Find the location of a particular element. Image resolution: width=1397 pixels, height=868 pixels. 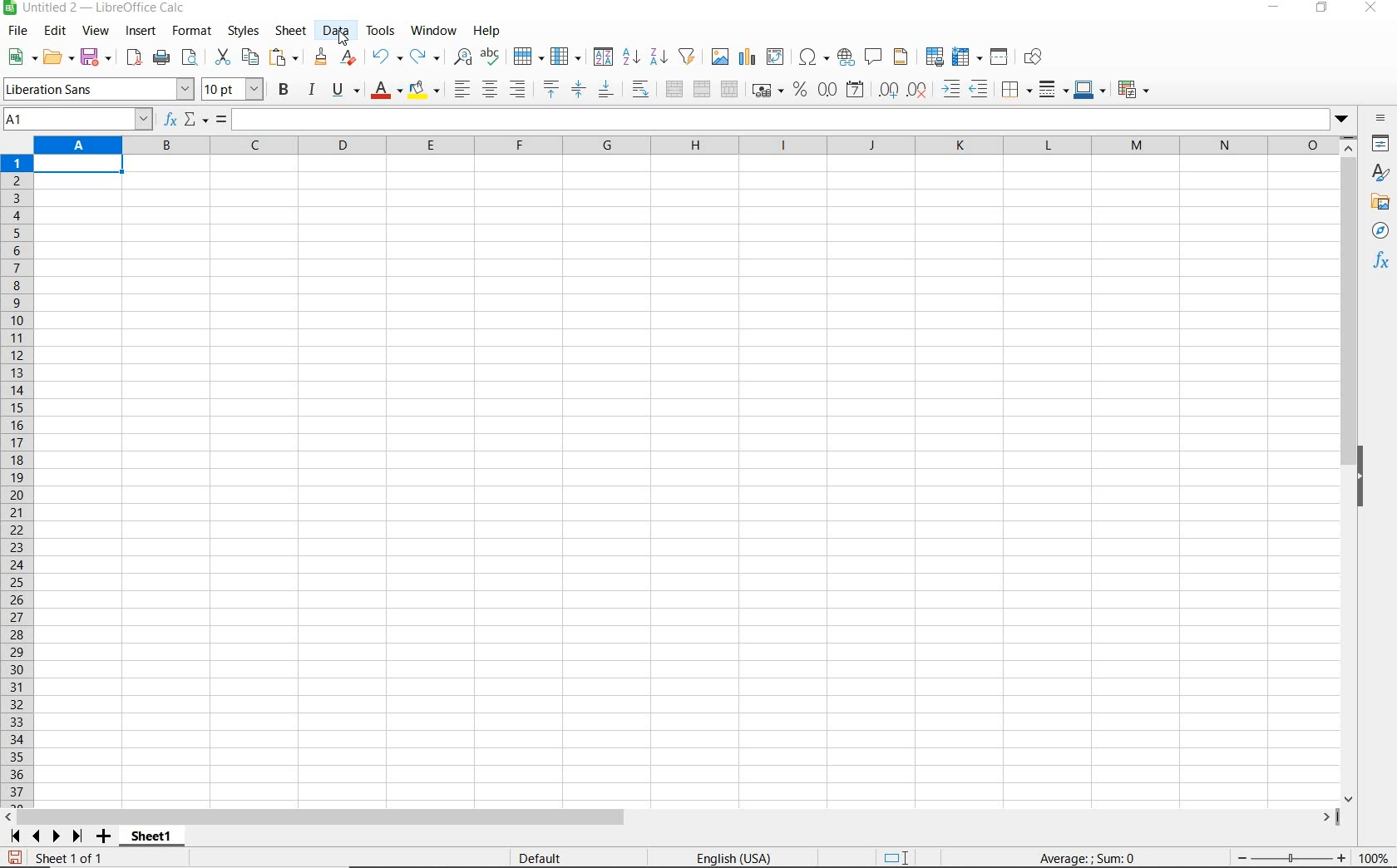

save is located at coordinates (15, 858).